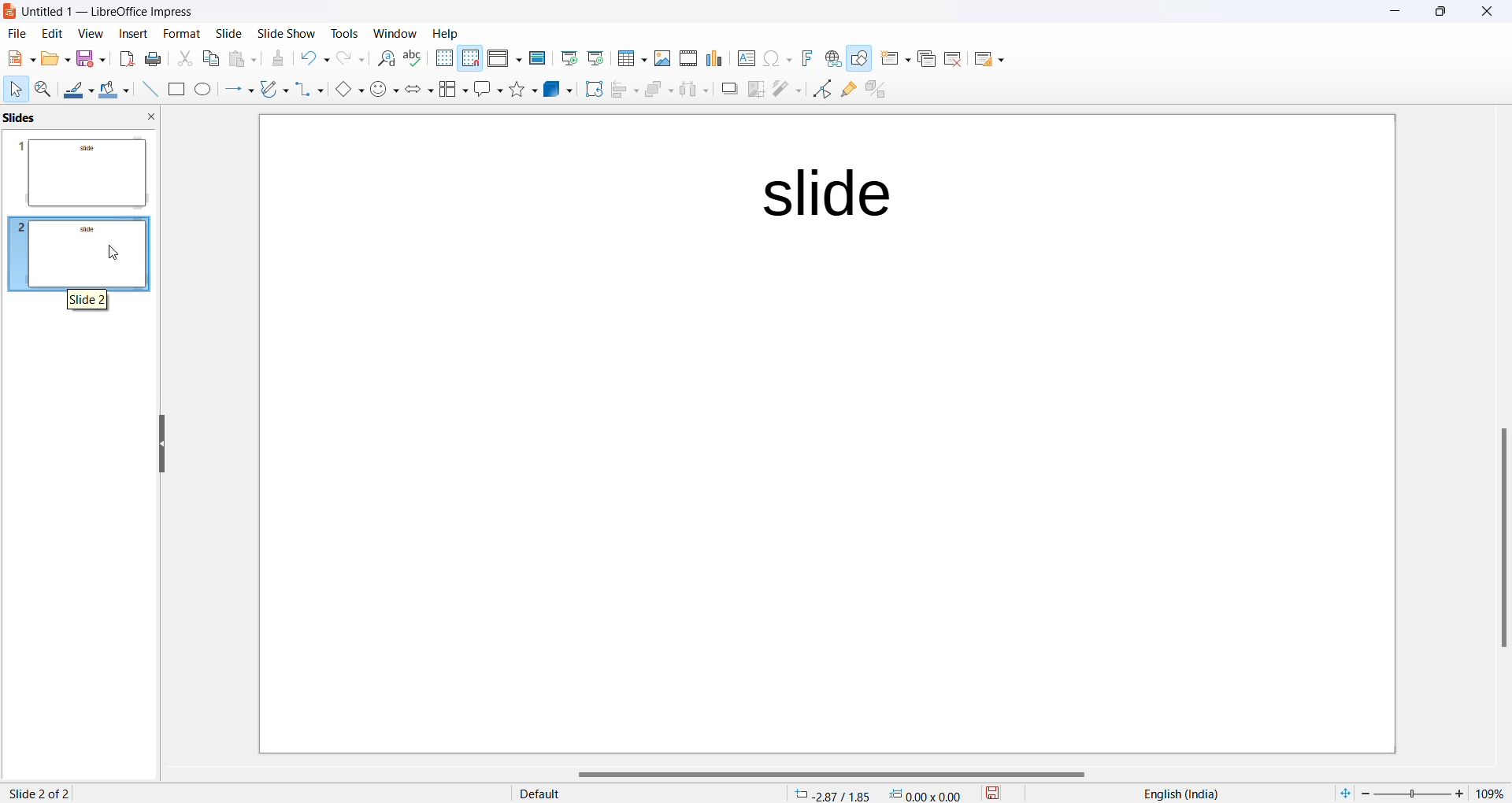  Describe the element at coordinates (115, 253) in the screenshot. I see `cursor` at that location.